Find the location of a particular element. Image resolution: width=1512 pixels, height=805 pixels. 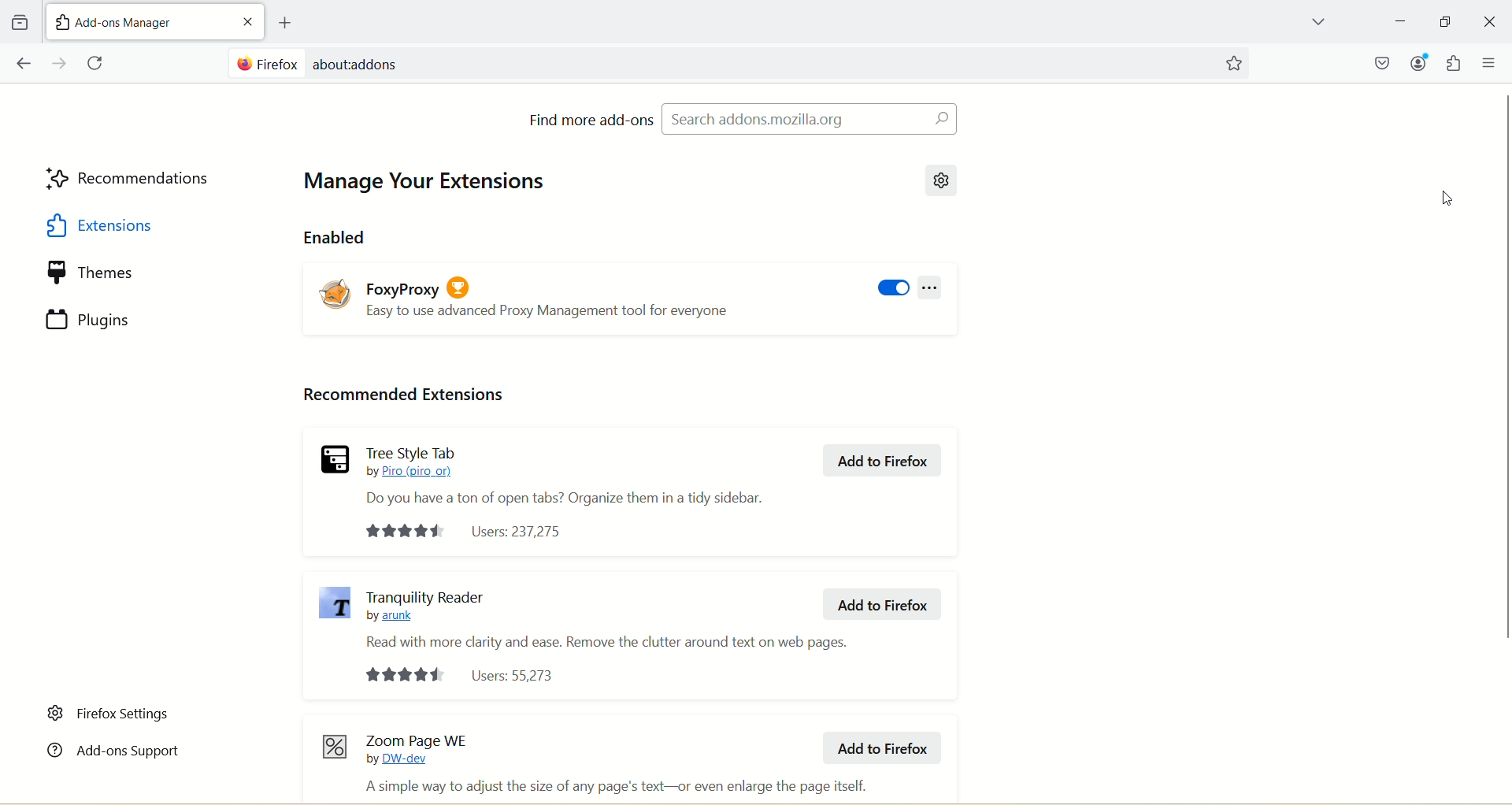

Theme is located at coordinates (133, 273).